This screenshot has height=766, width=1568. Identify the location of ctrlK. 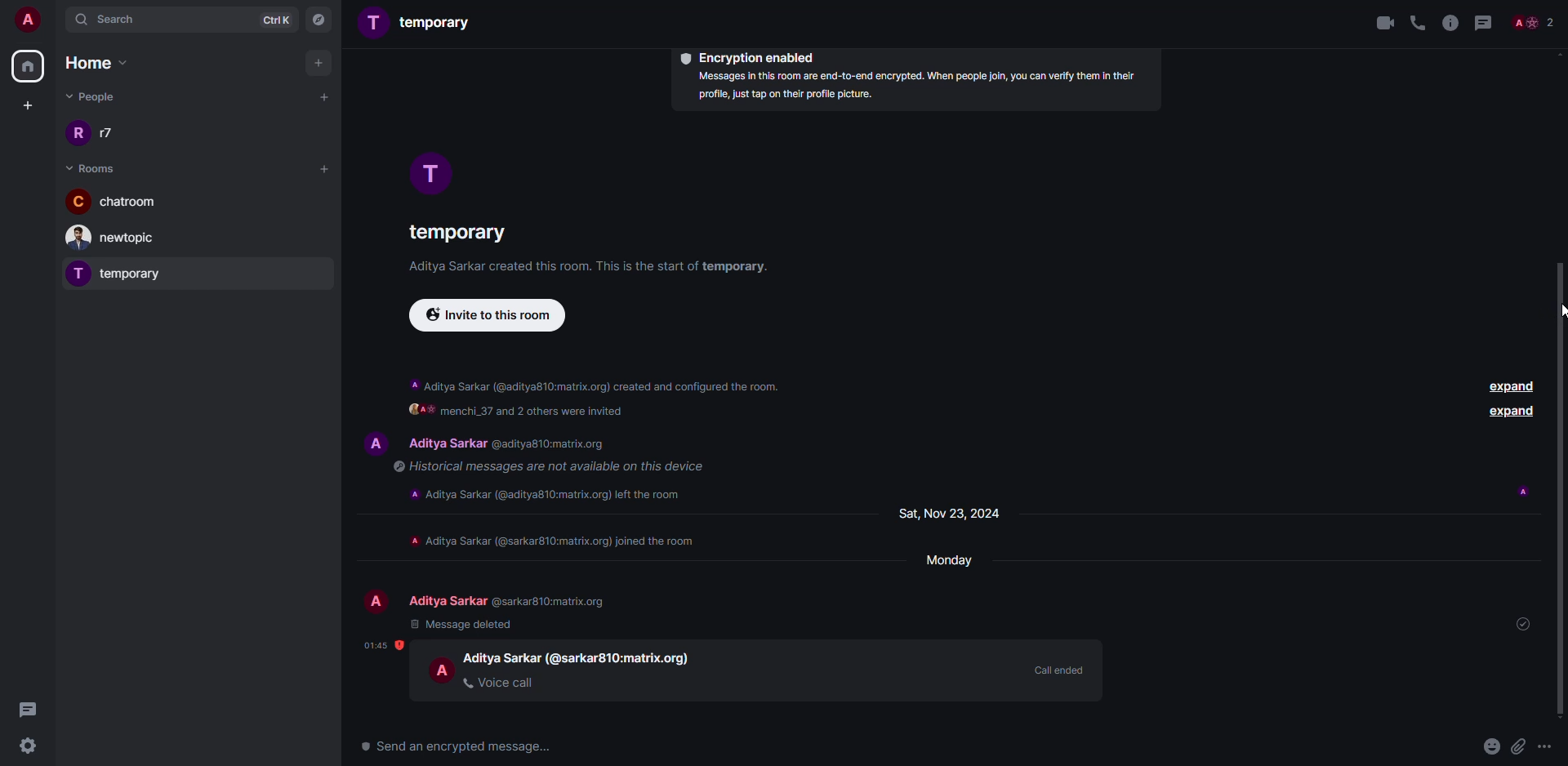
(275, 19).